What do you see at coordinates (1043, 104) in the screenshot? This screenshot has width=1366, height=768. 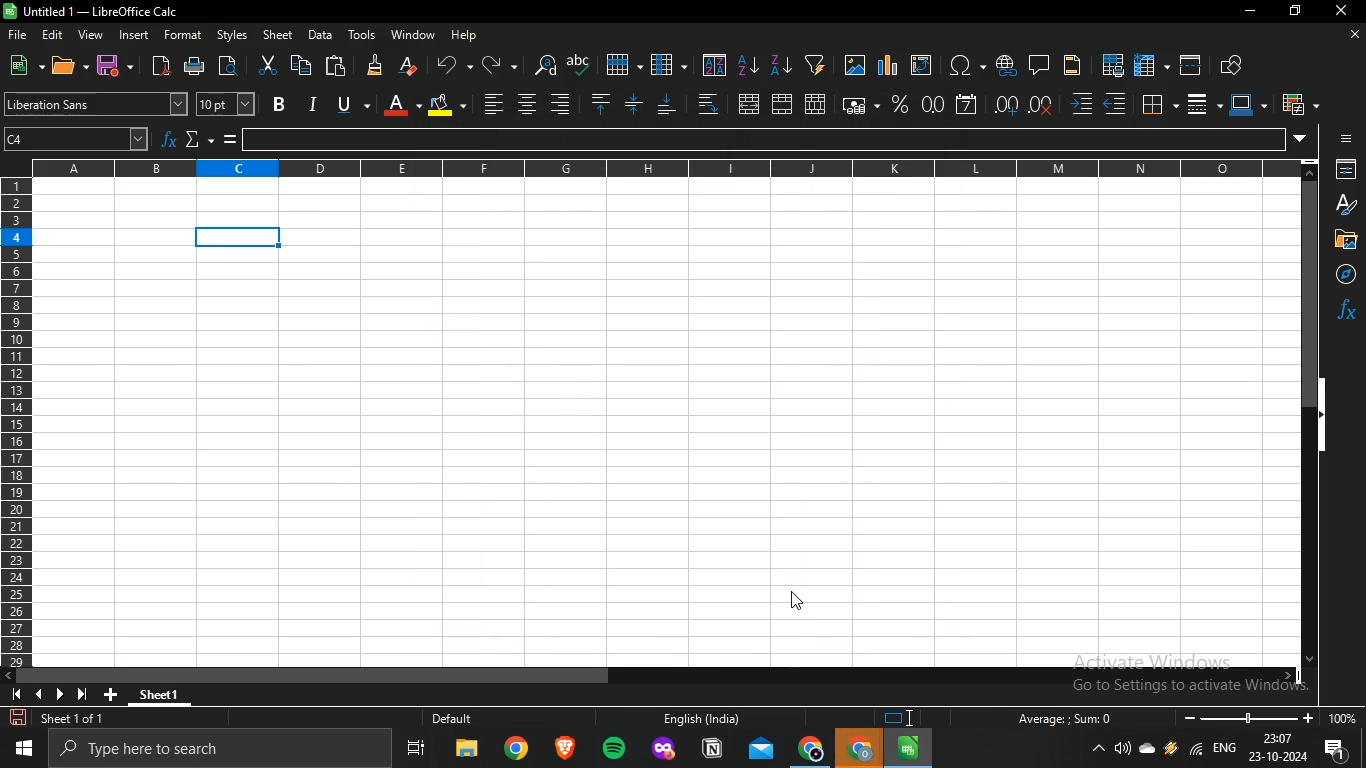 I see `delete decimal place` at bounding box center [1043, 104].